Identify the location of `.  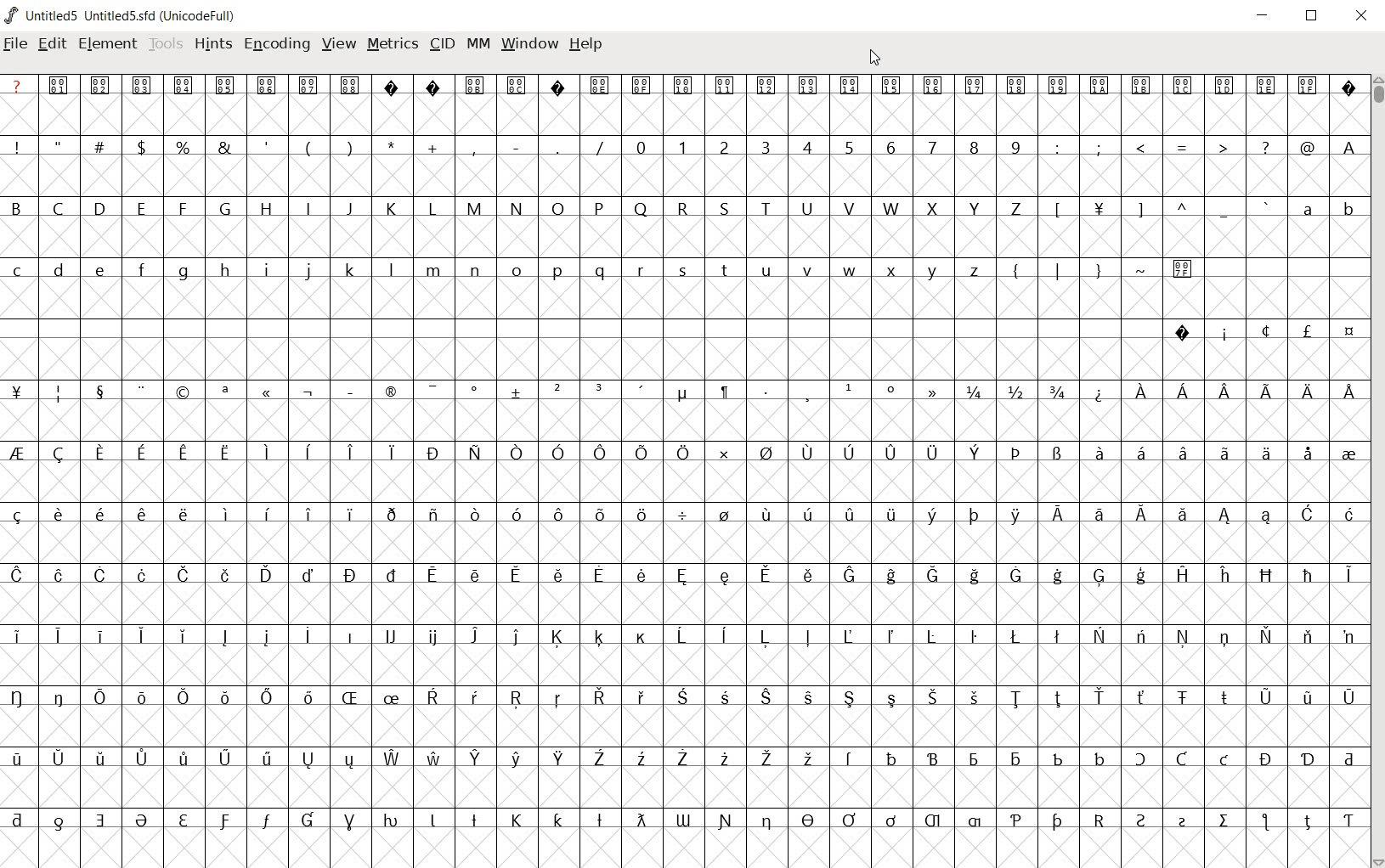
(1264, 208).